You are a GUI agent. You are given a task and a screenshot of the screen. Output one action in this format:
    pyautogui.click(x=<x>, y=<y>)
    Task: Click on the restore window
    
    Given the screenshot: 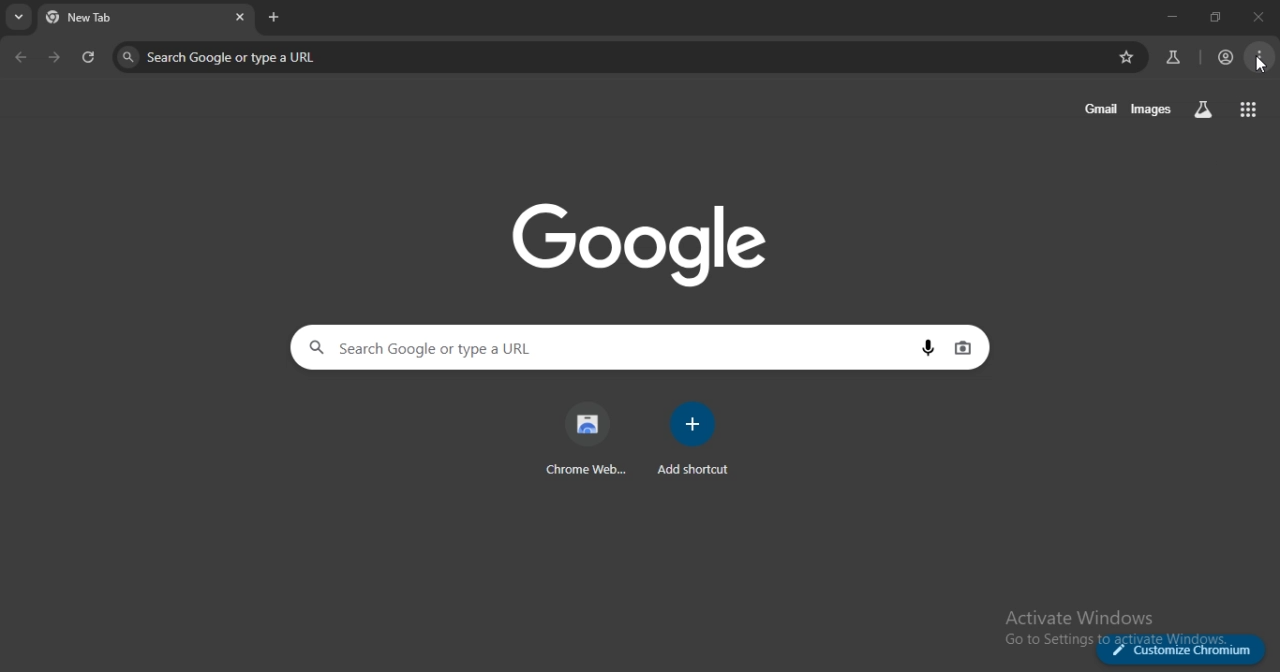 What is the action you would take?
    pyautogui.click(x=1214, y=15)
    